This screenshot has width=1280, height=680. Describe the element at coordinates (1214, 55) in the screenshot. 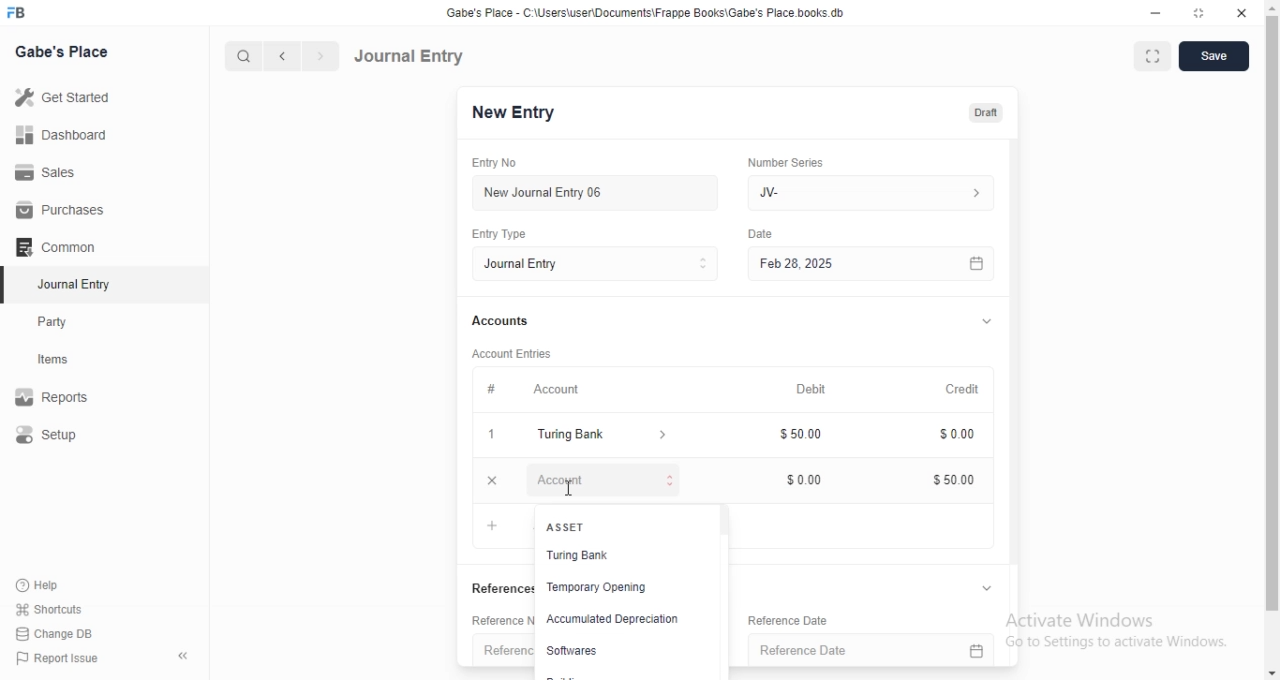

I see `save` at that location.